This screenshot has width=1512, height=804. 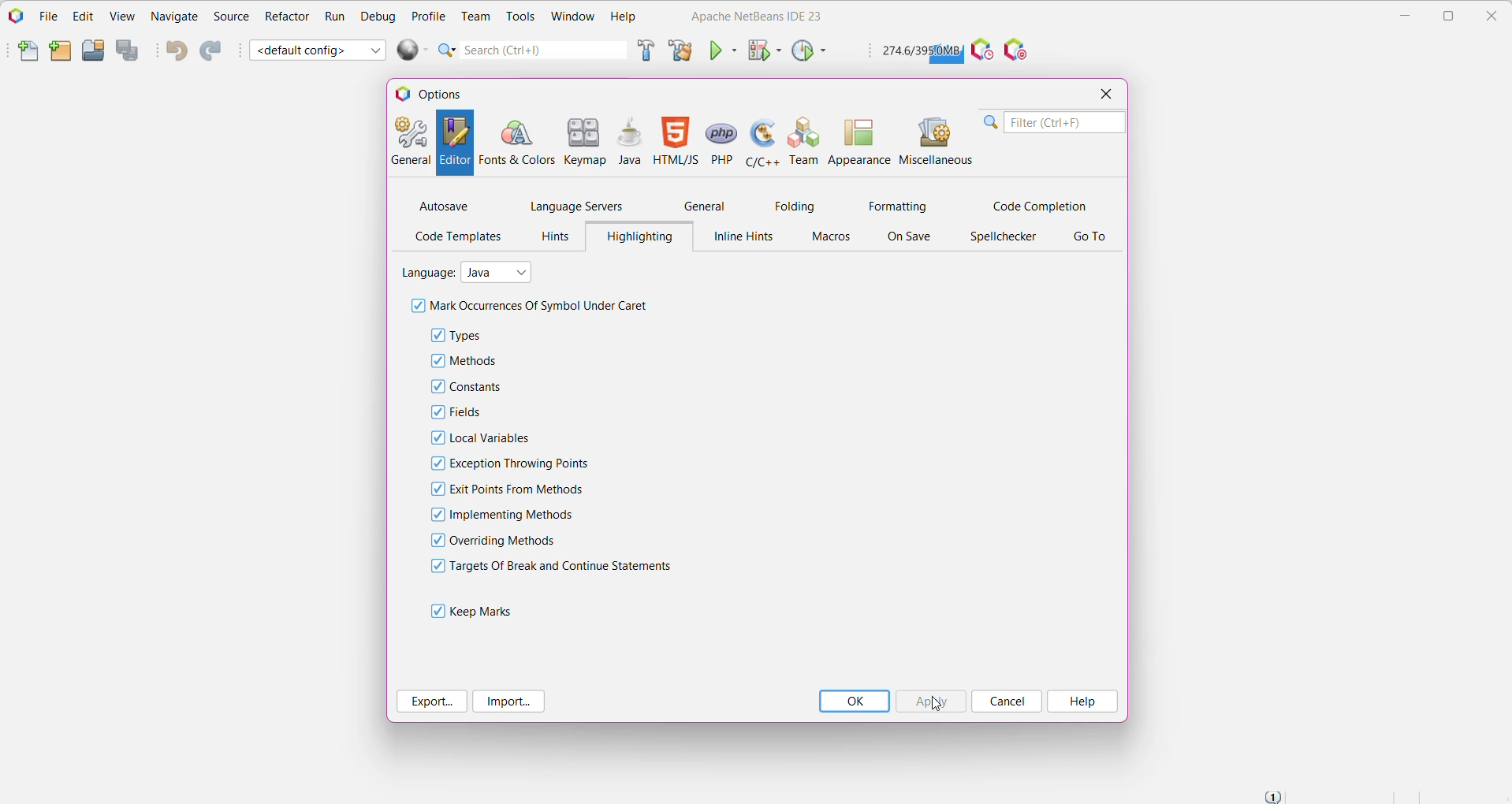 I want to click on On Save, so click(x=913, y=238).